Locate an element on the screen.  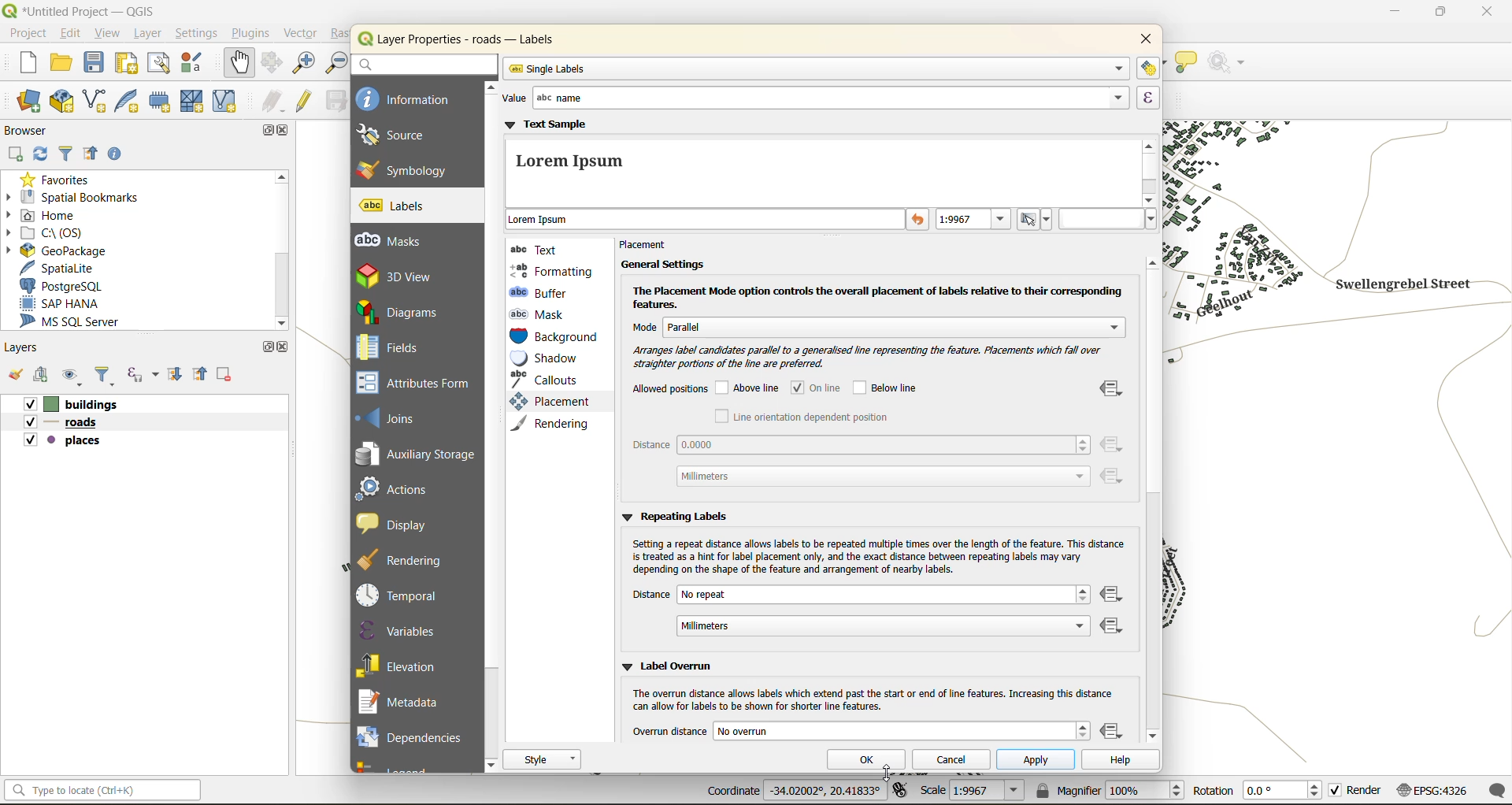
plugins is located at coordinates (251, 35).